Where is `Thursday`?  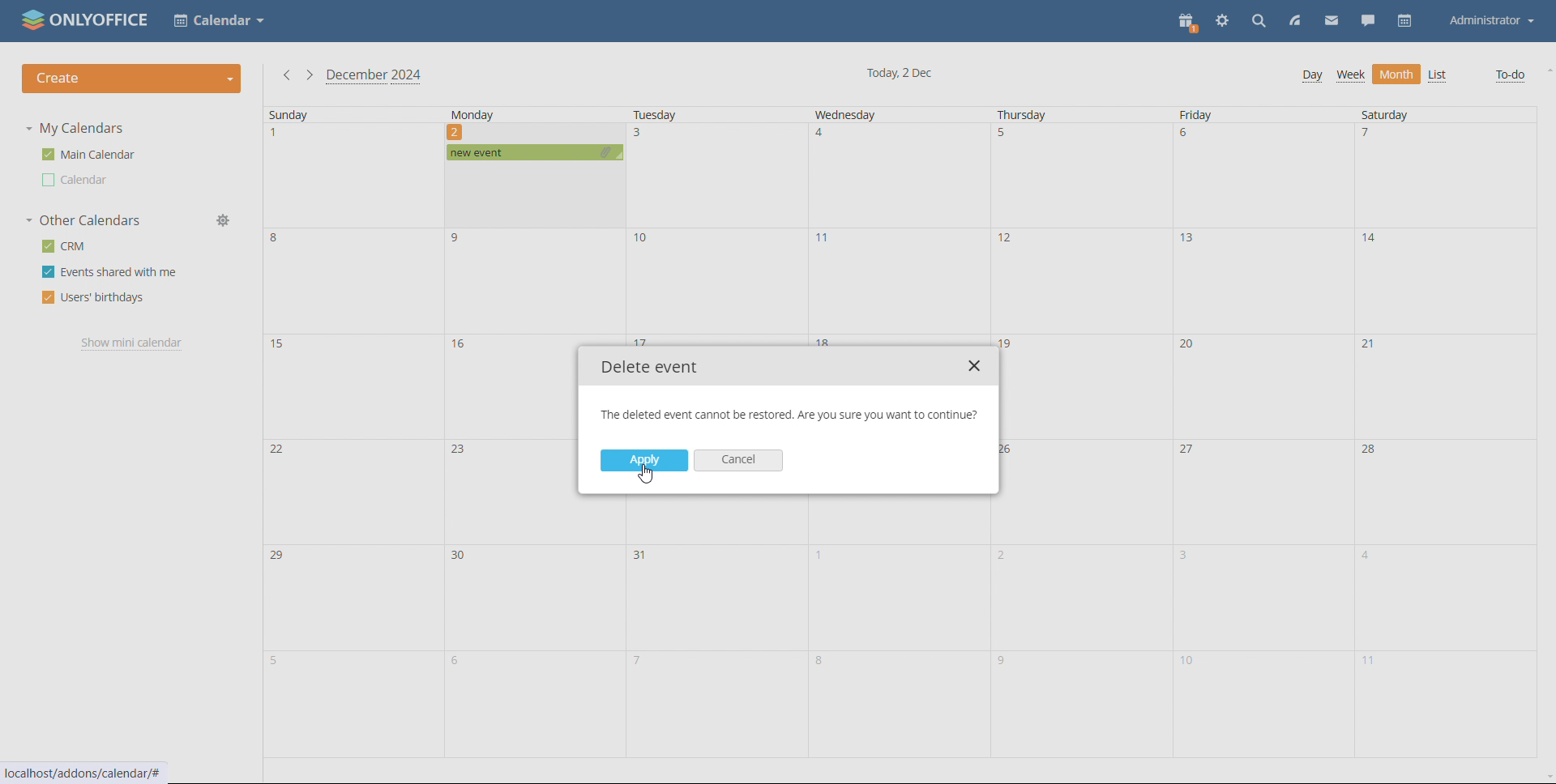 Thursday is located at coordinates (1024, 115).